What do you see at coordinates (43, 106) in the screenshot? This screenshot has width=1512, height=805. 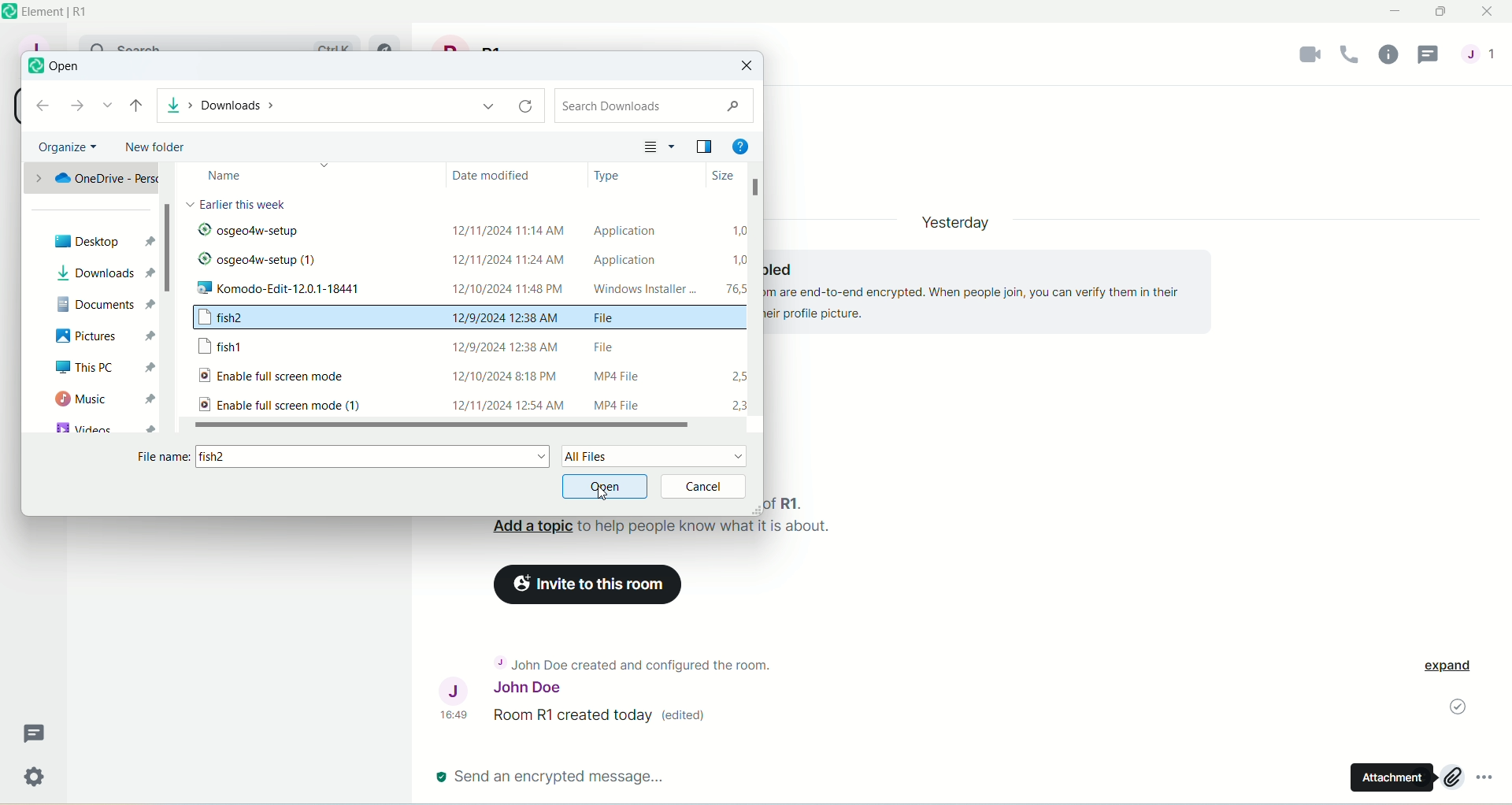 I see `go back` at bounding box center [43, 106].